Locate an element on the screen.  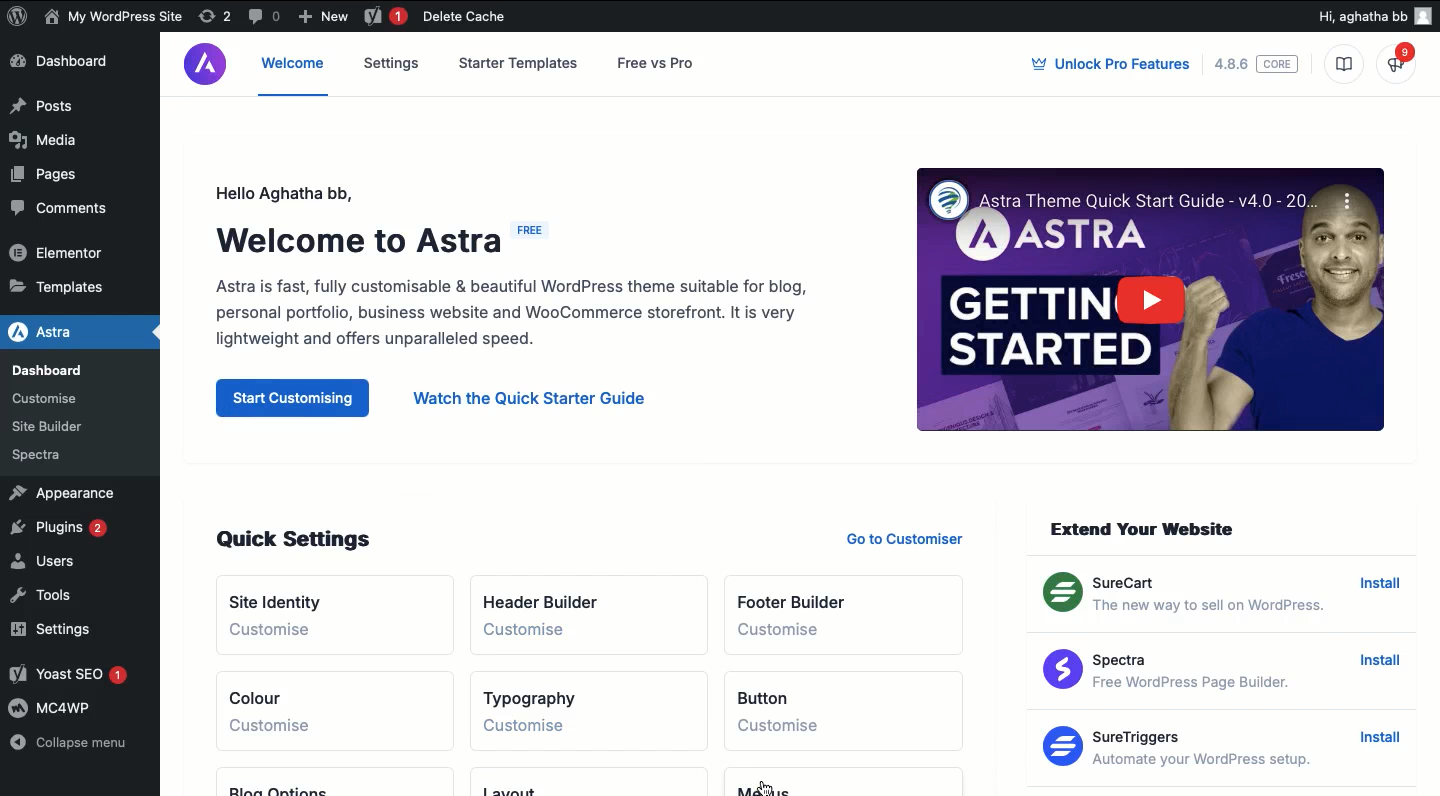
Astra is located at coordinates (206, 65).